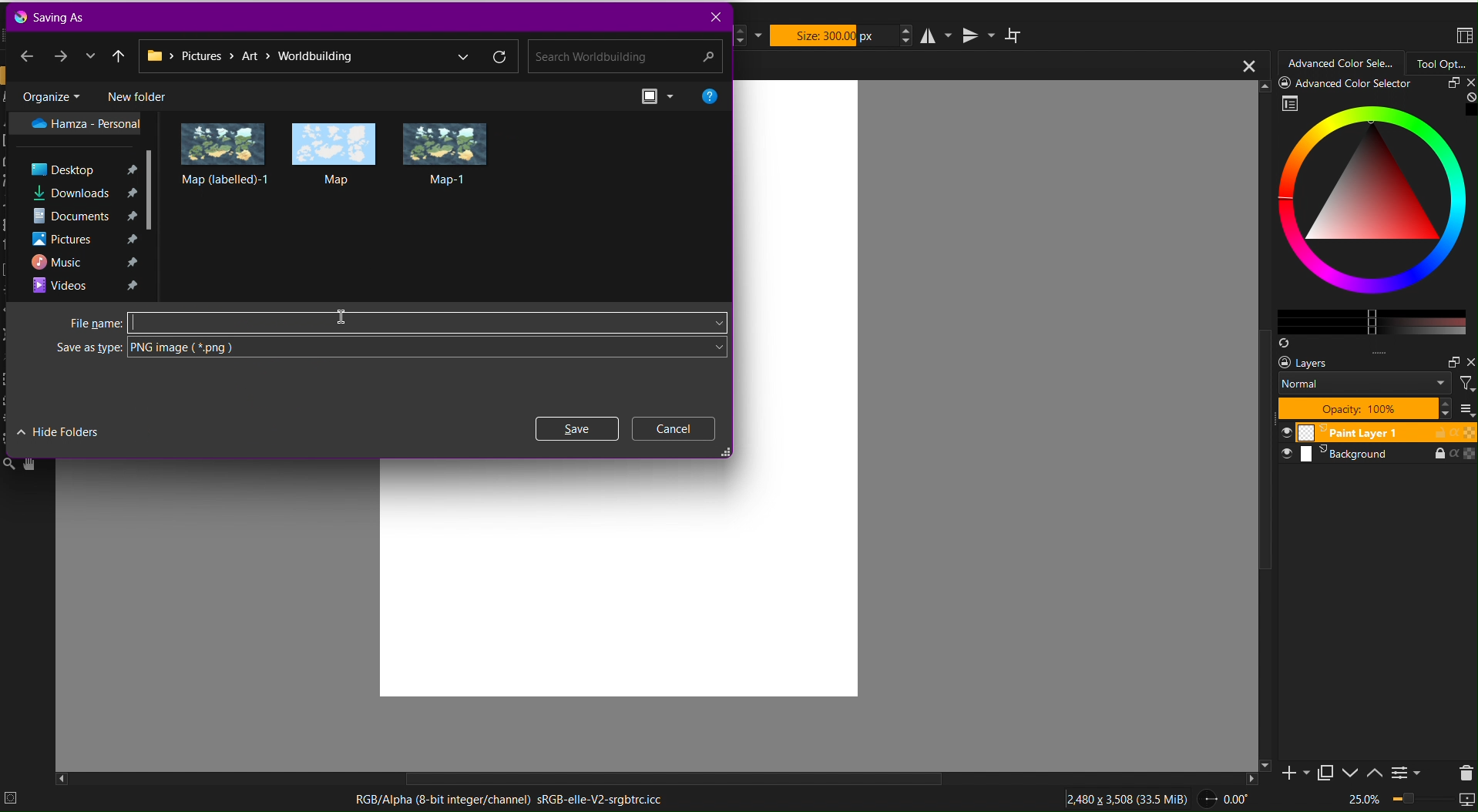  What do you see at coordinates (1442, 63) in the screenshot?
I see `Tool Options` at bounding box center [1442, 63].